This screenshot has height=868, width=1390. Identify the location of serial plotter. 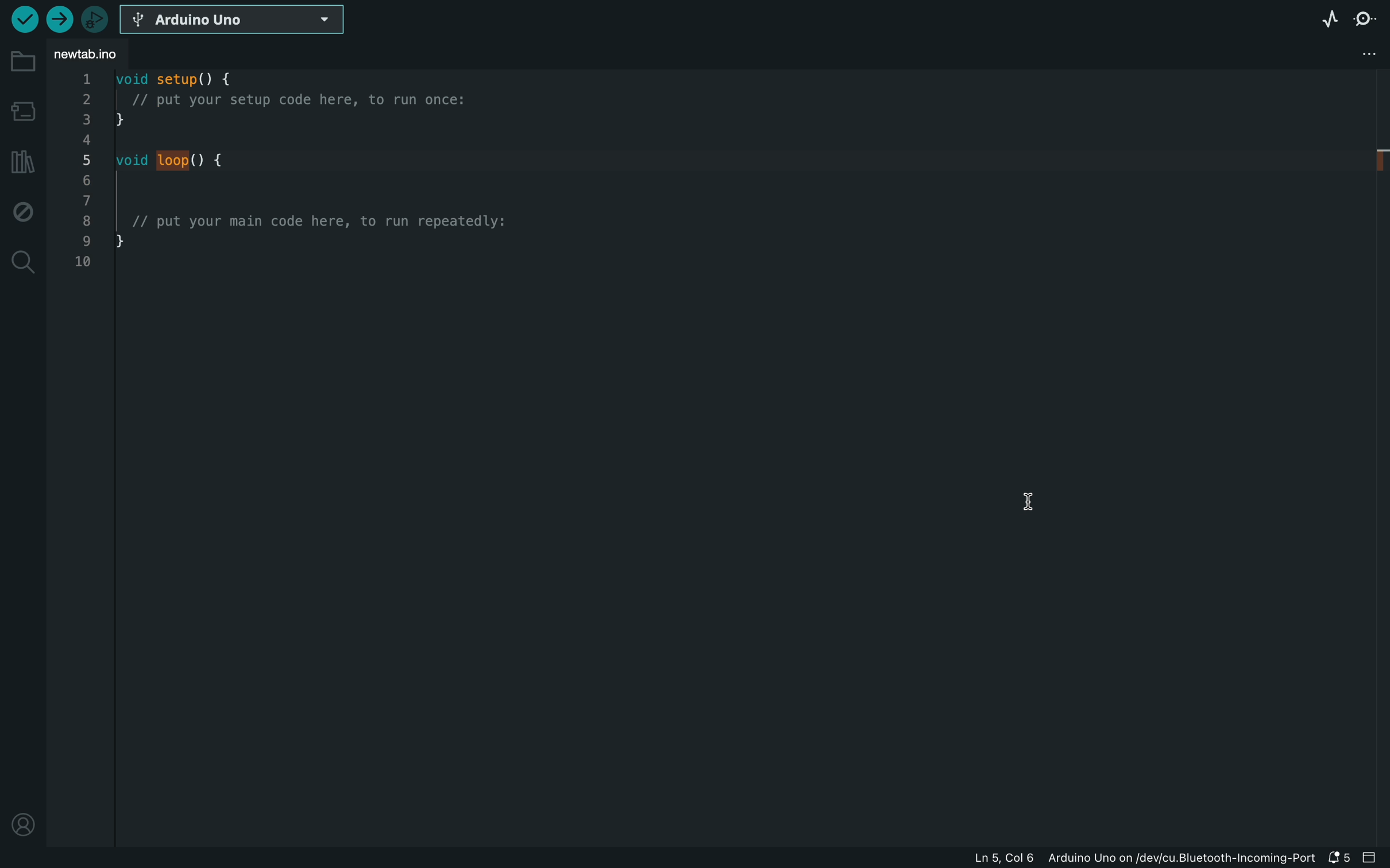
(1329, 18).